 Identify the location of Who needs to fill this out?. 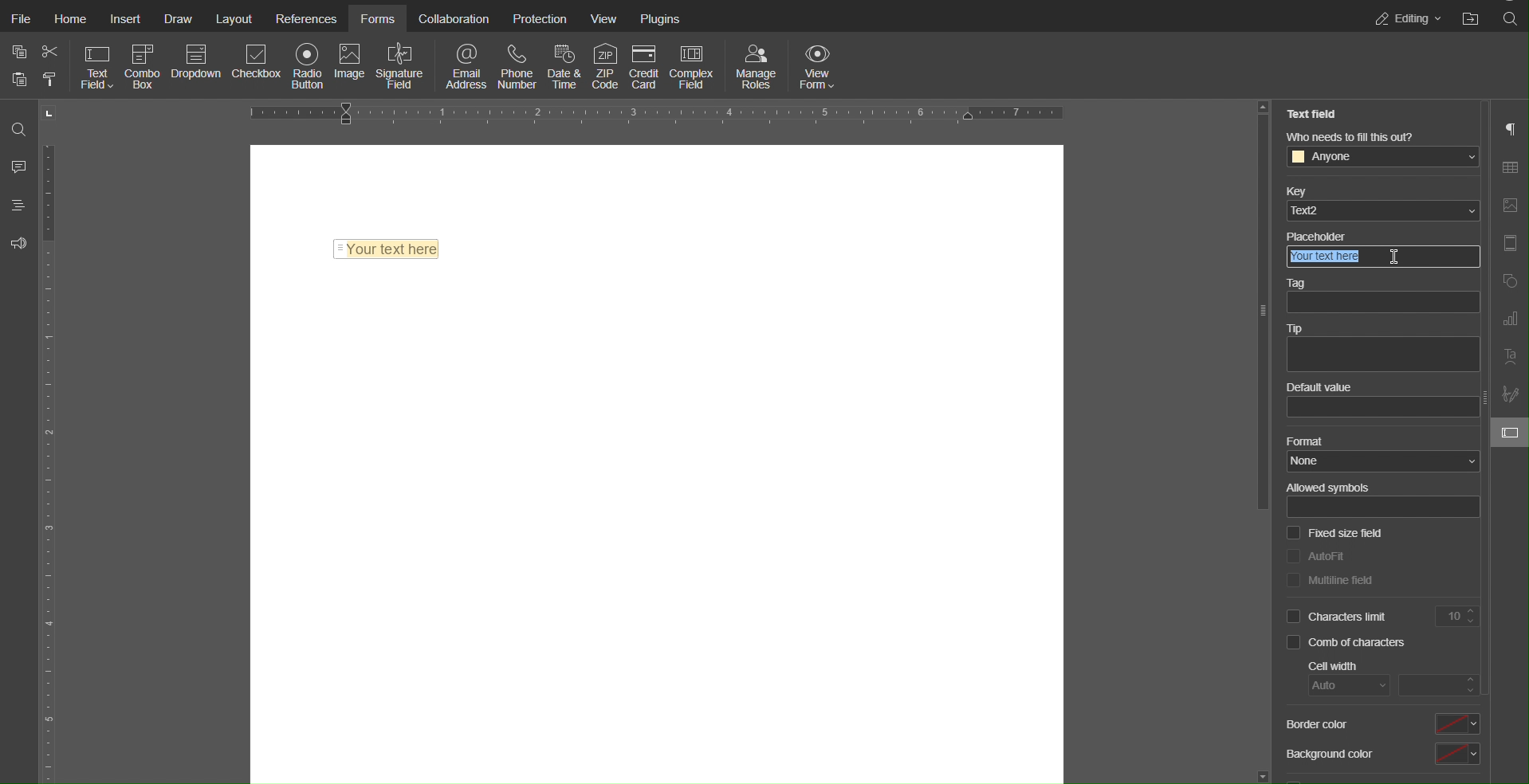
(1378, 151).